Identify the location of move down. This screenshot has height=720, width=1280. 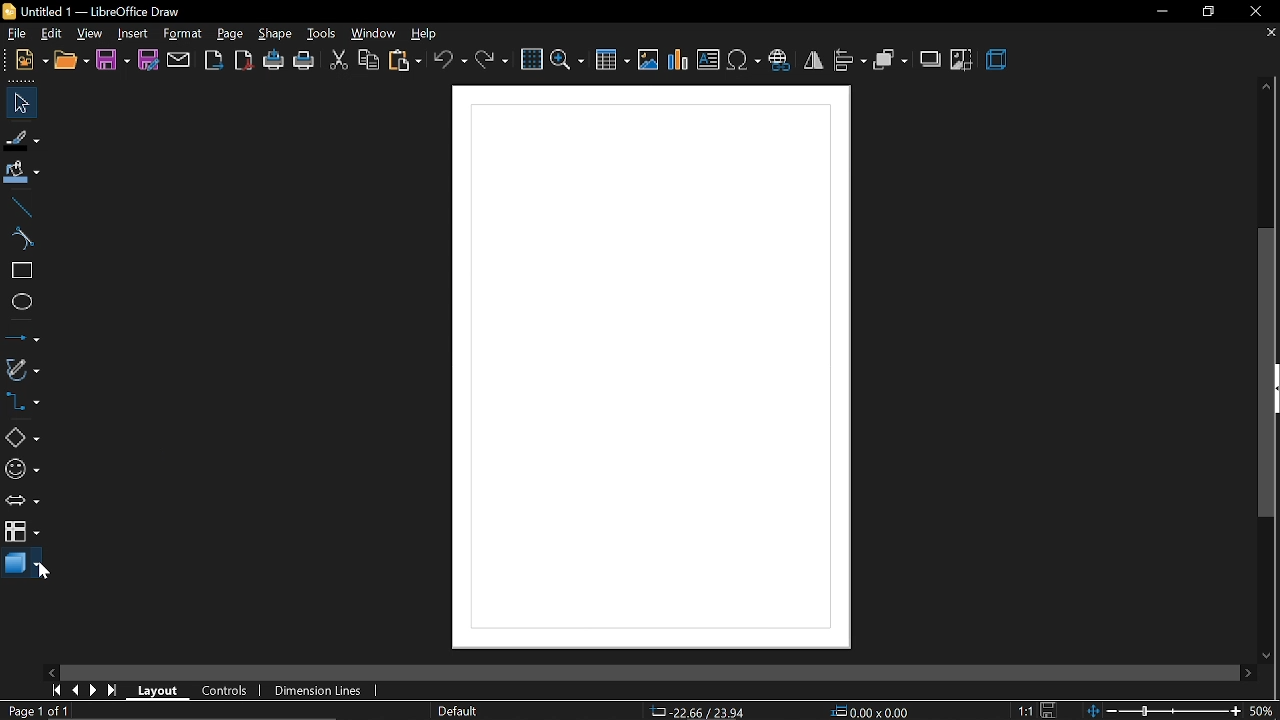
(1270, 655).